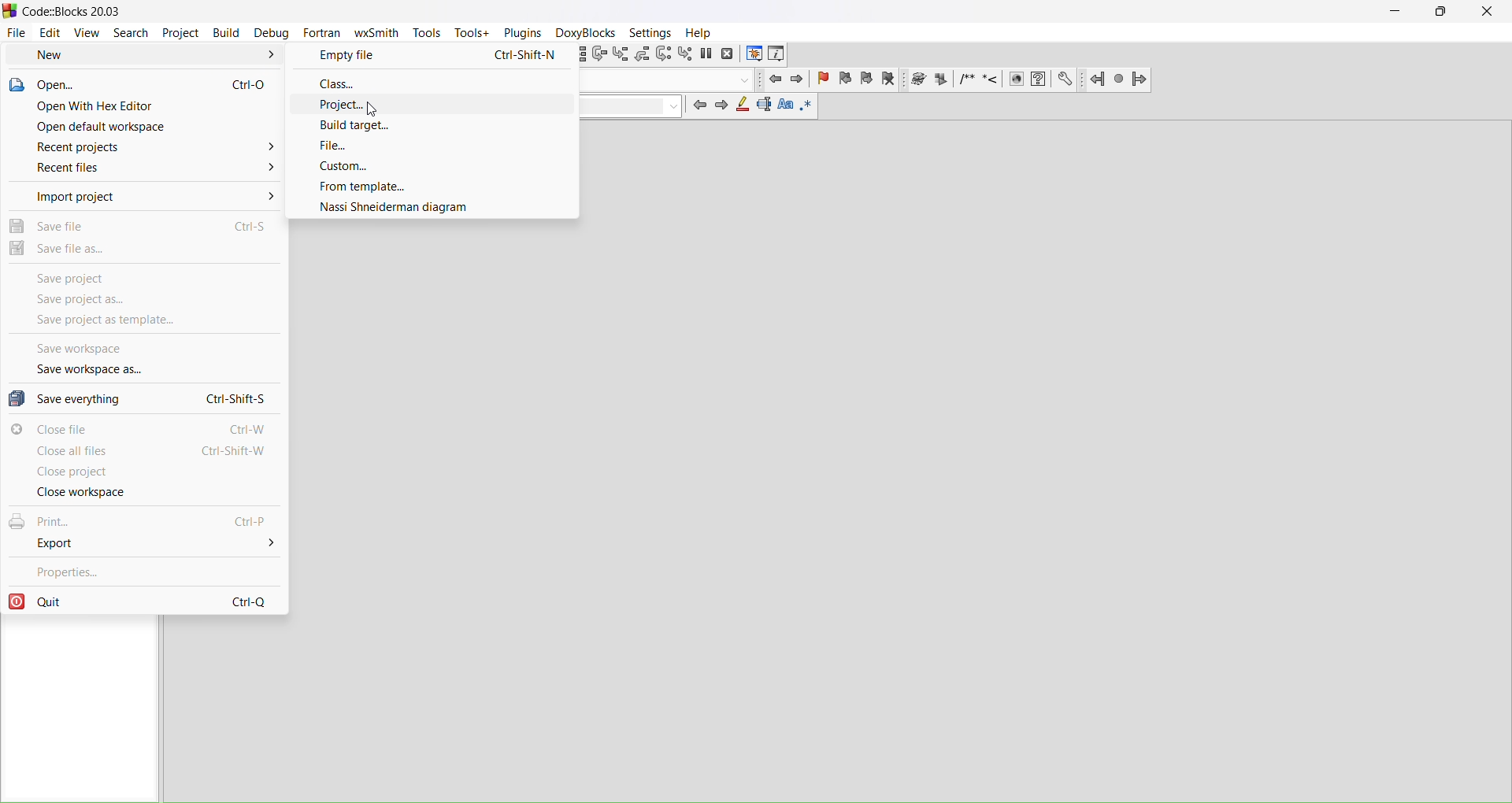  I want to click on build, so click(227, 35).